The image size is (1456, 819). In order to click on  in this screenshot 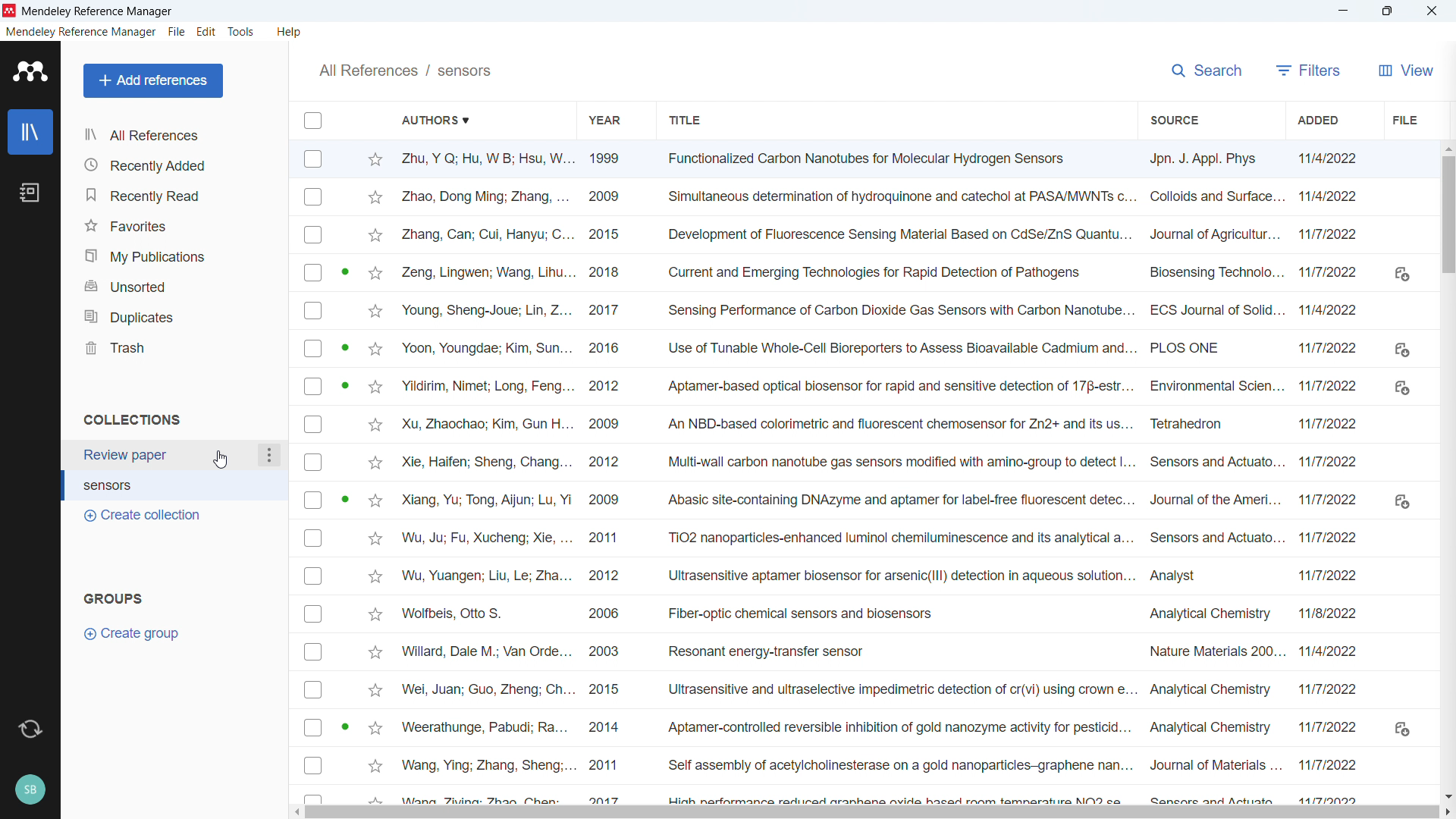, I will do `click(1431, 11)`.